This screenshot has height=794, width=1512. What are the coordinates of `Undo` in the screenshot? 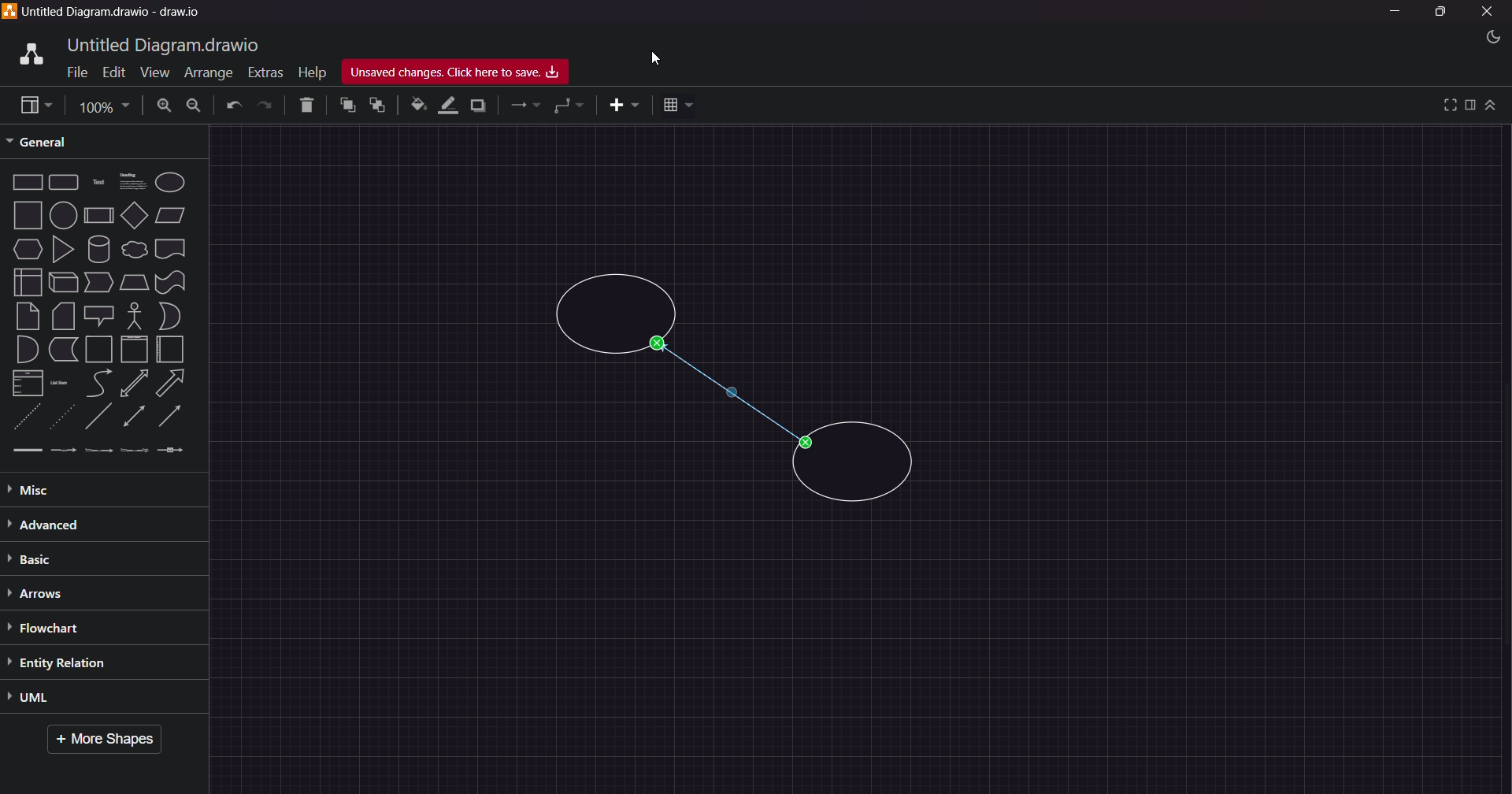 It's located at (233, 106).